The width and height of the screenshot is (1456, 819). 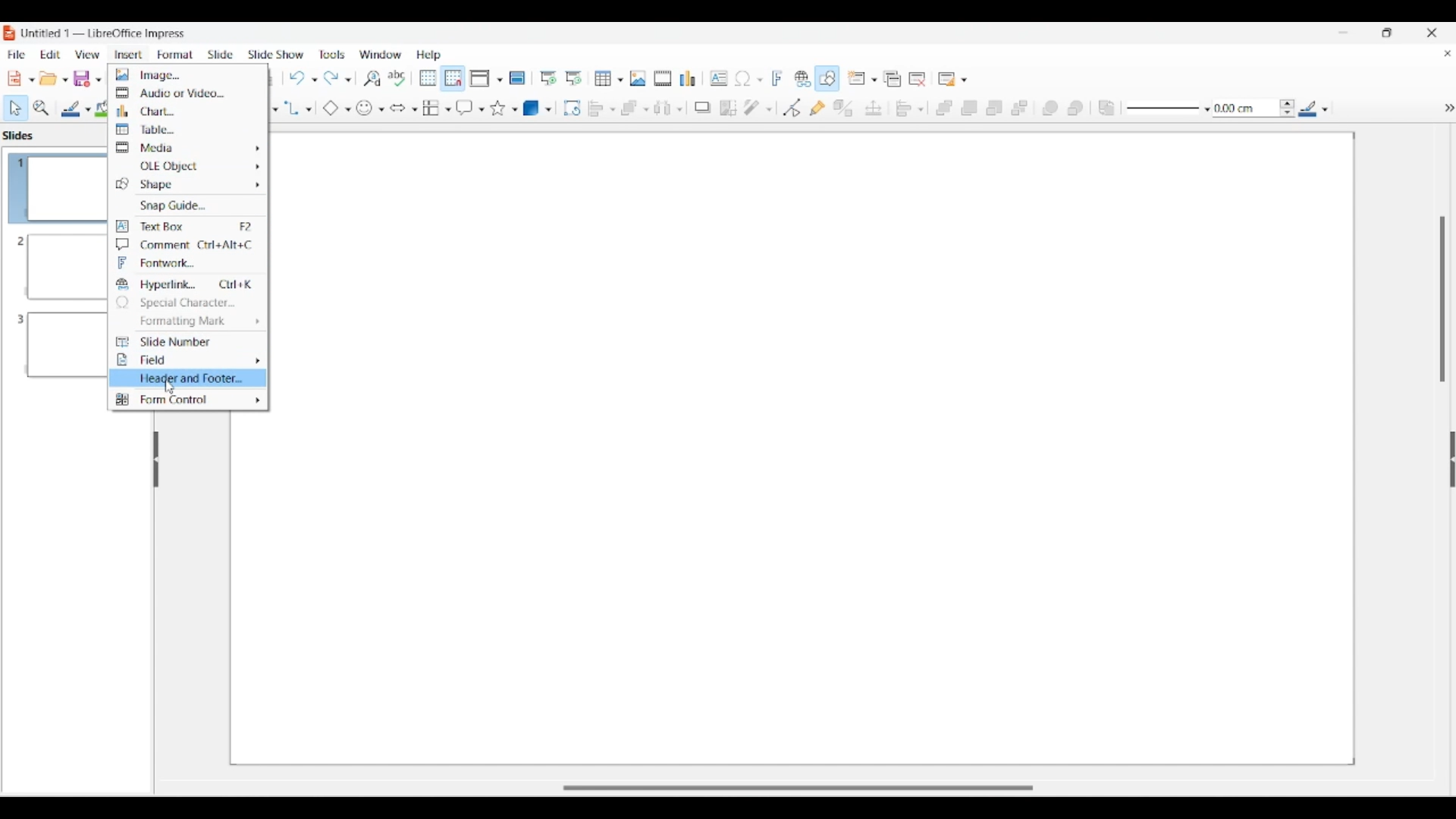 I want to click on Vertical slide bar, so click(x=1442, y=300).